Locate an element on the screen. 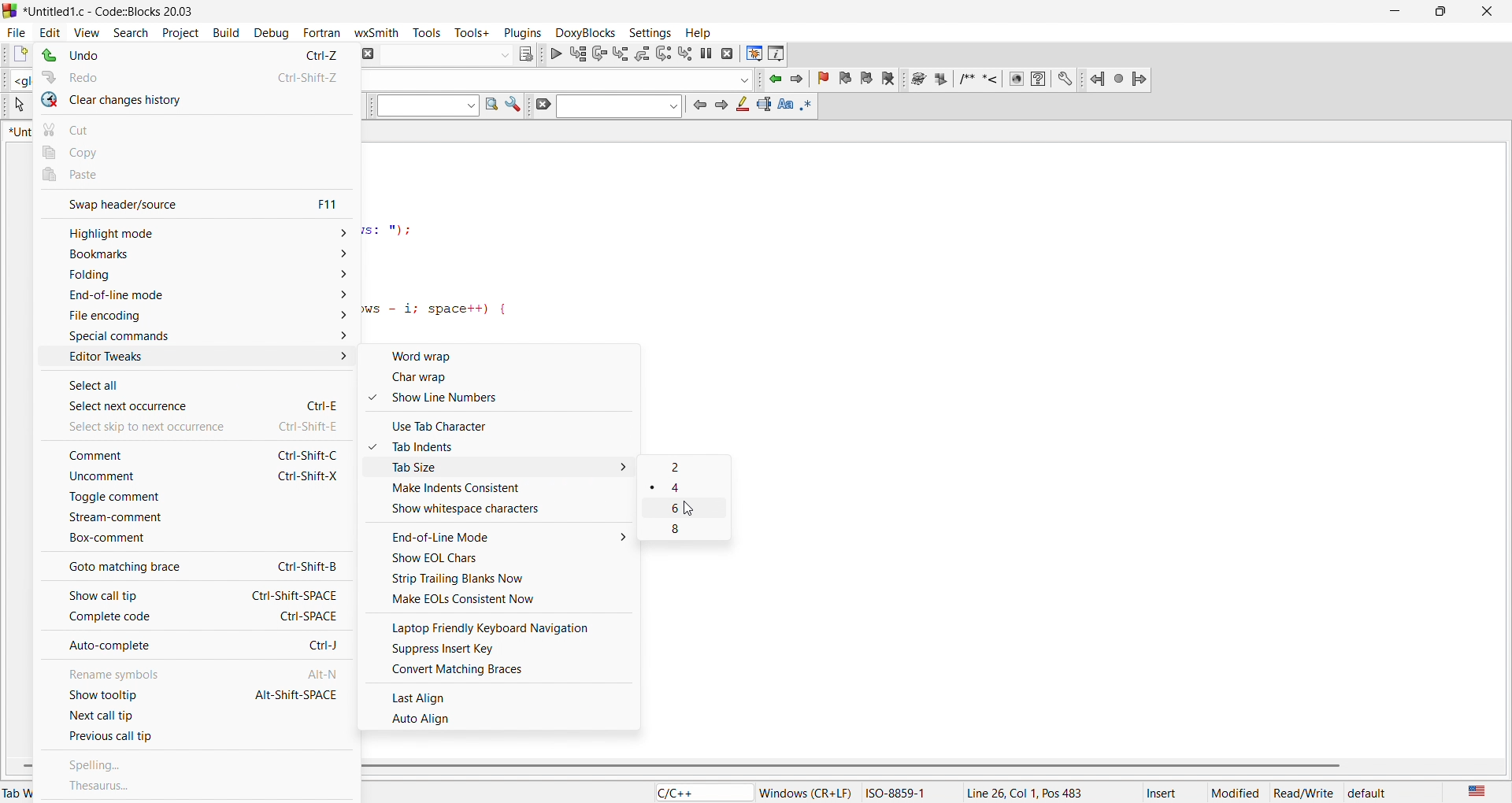 The image size is (1512, 803). char wrap is located at coordinates (508, 380).